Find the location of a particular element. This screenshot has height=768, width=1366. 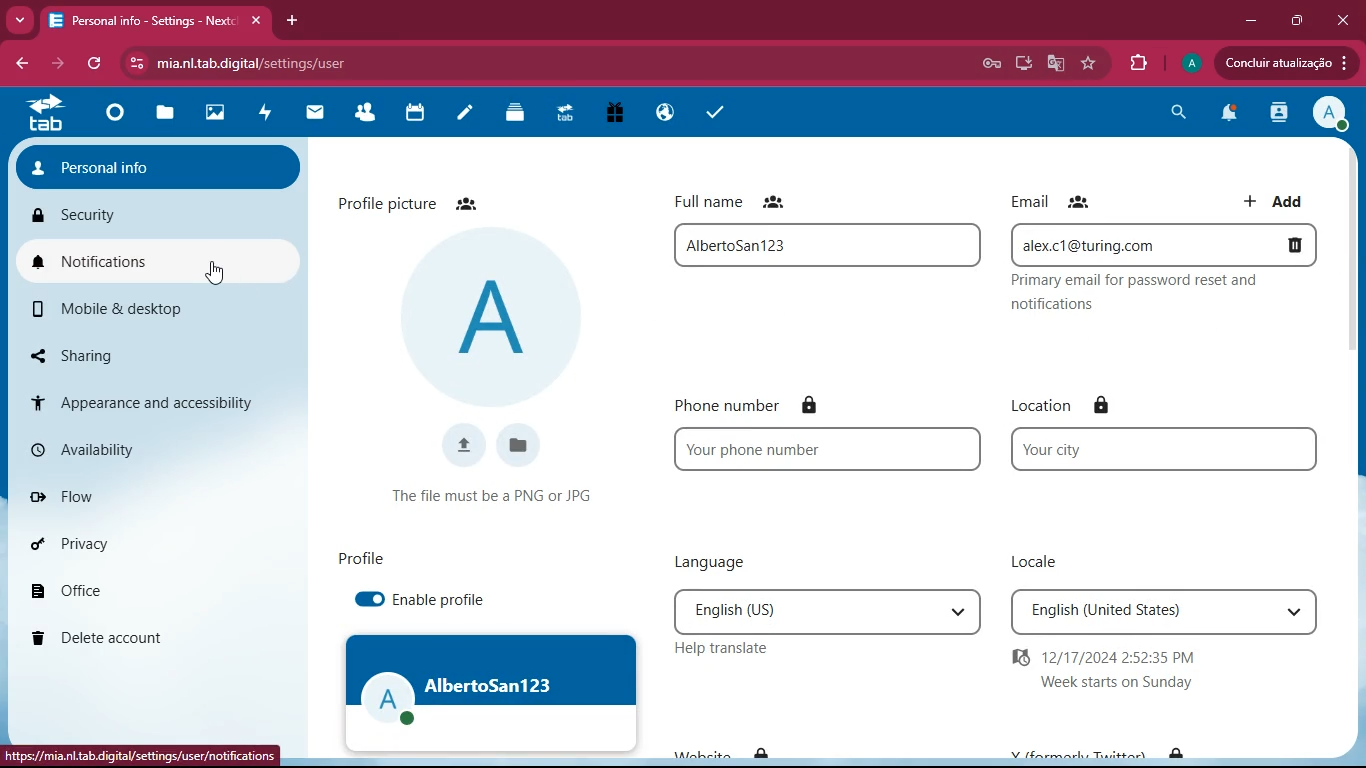

profile is located at coordinates (357, 556).